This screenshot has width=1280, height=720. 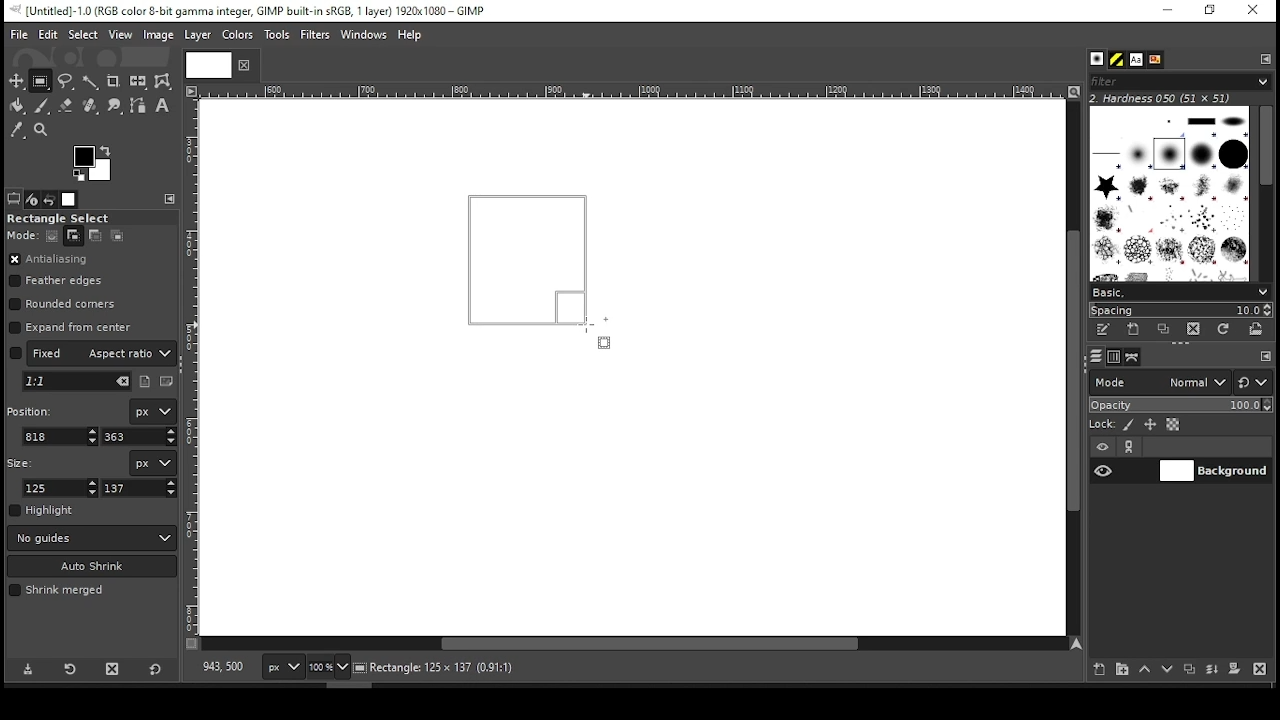 I want to click on crop  tool, so click(x=113, y=82).